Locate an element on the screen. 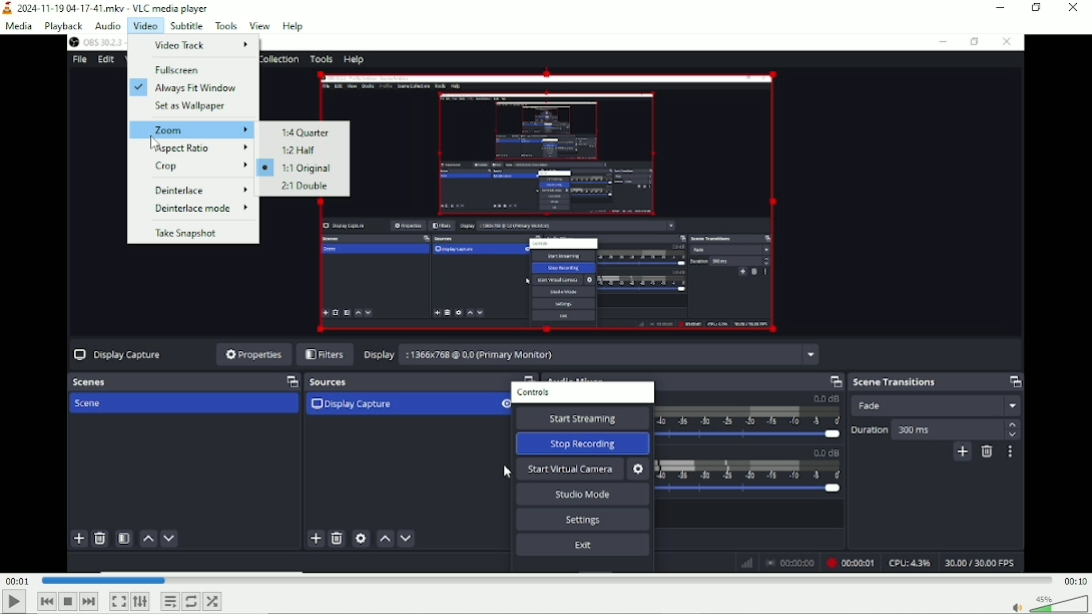  original is located at coordinates (300, 168).